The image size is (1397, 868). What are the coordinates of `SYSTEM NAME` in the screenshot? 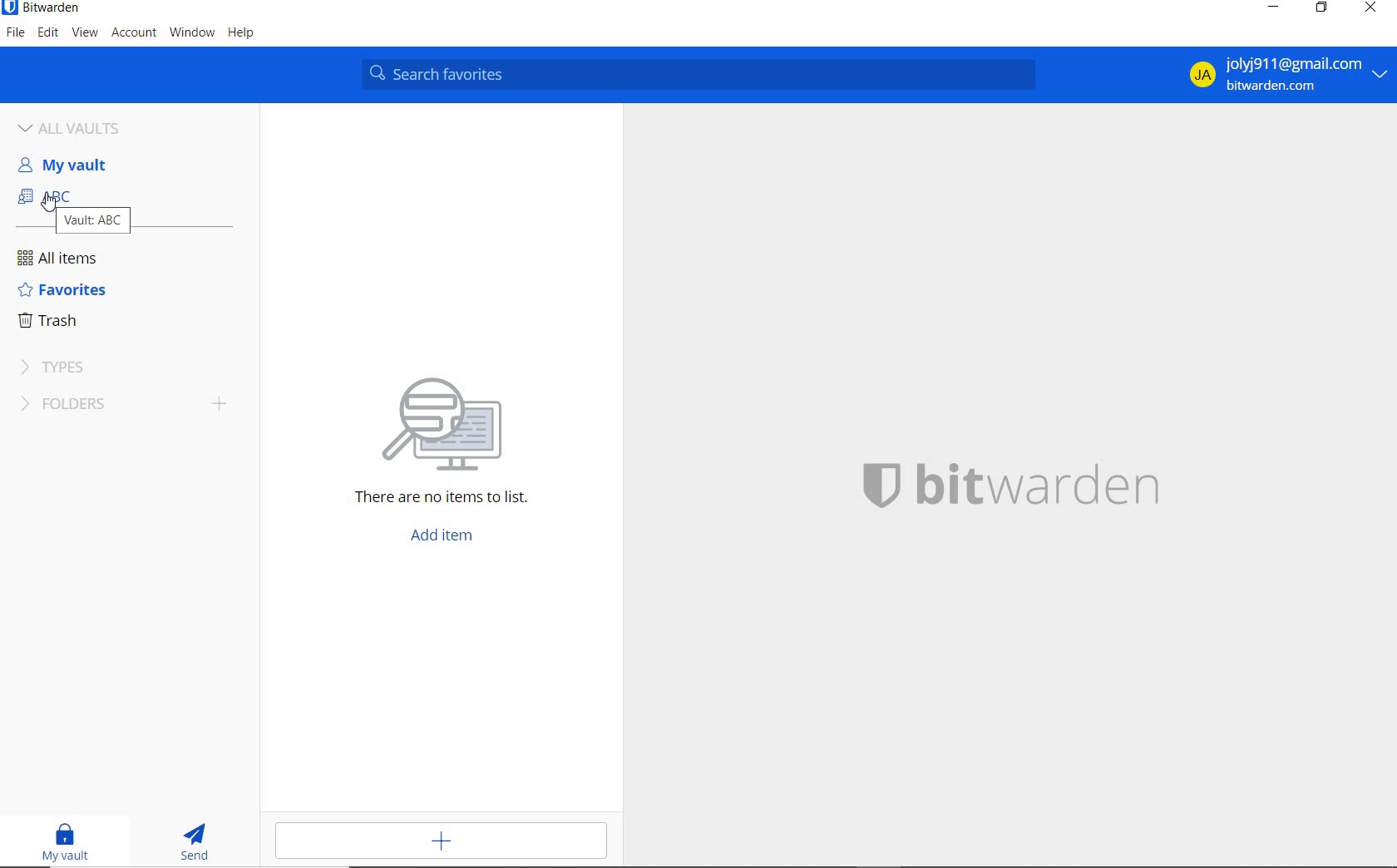 It's located at (42, 8).